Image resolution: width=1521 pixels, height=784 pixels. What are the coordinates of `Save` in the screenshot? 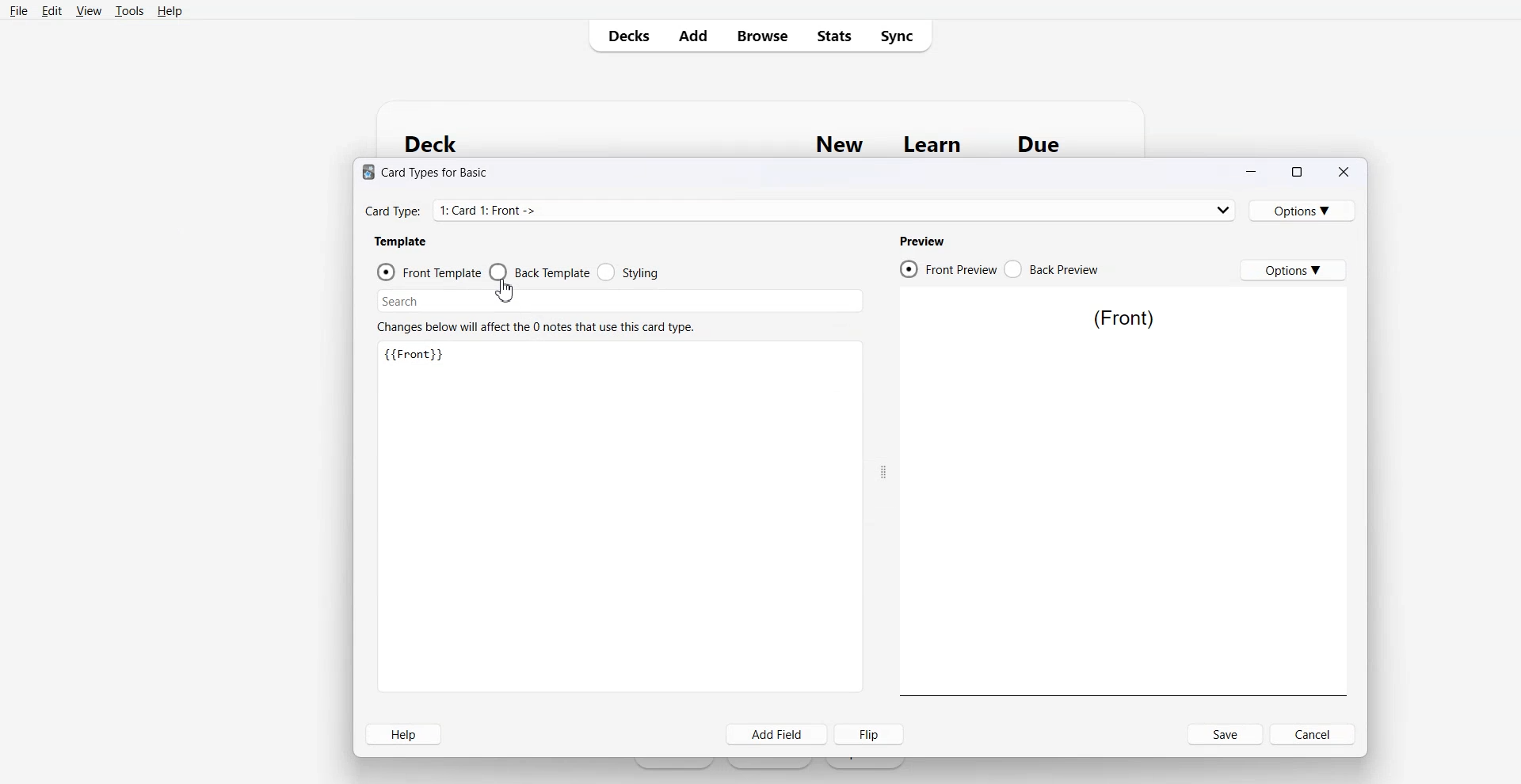 It's located at (1226, 734).